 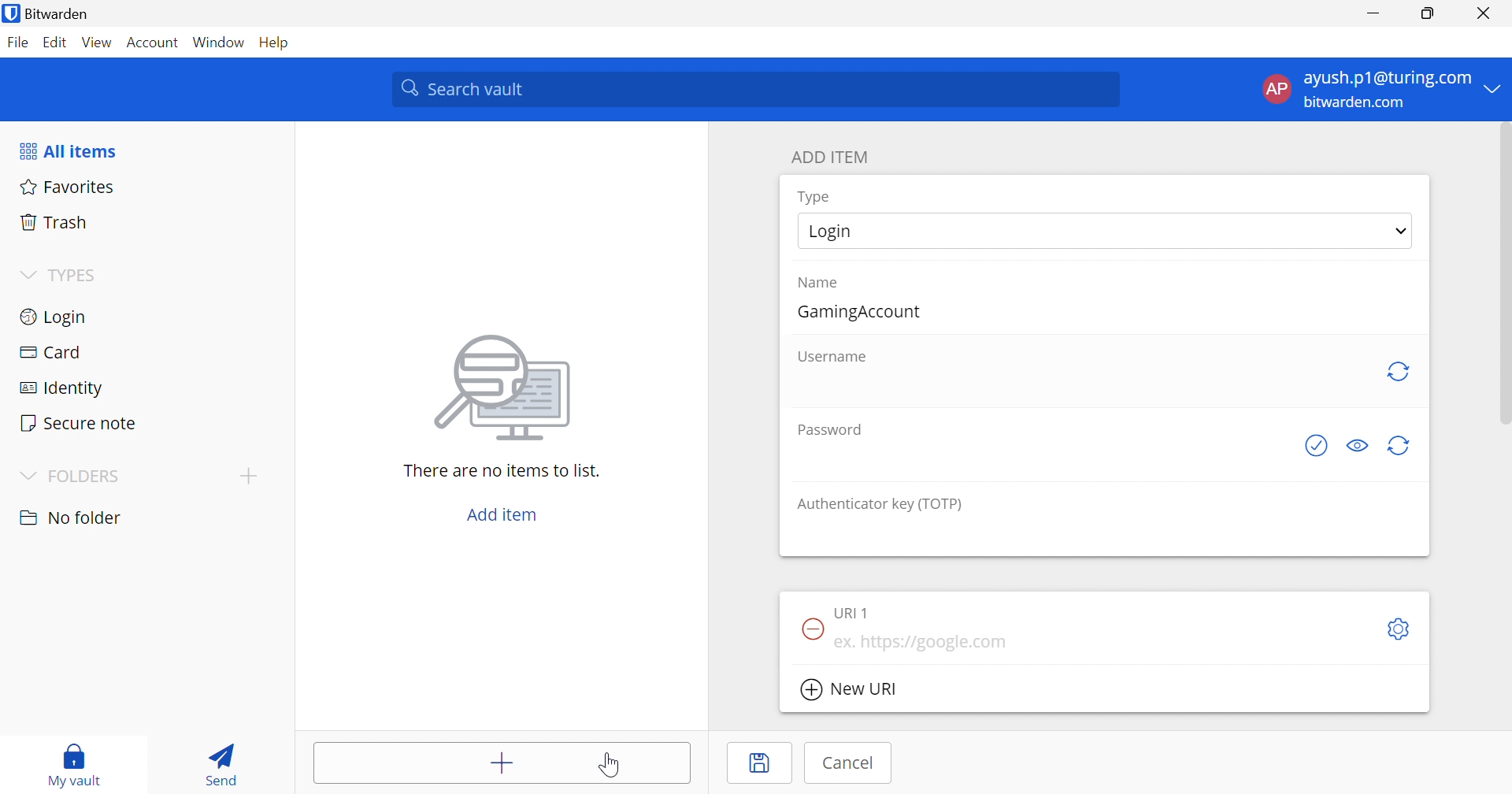 What do you see at coordinates (1373, 14) in the screenshot?
I see `Minimize` at bounding box center [1373, 14].